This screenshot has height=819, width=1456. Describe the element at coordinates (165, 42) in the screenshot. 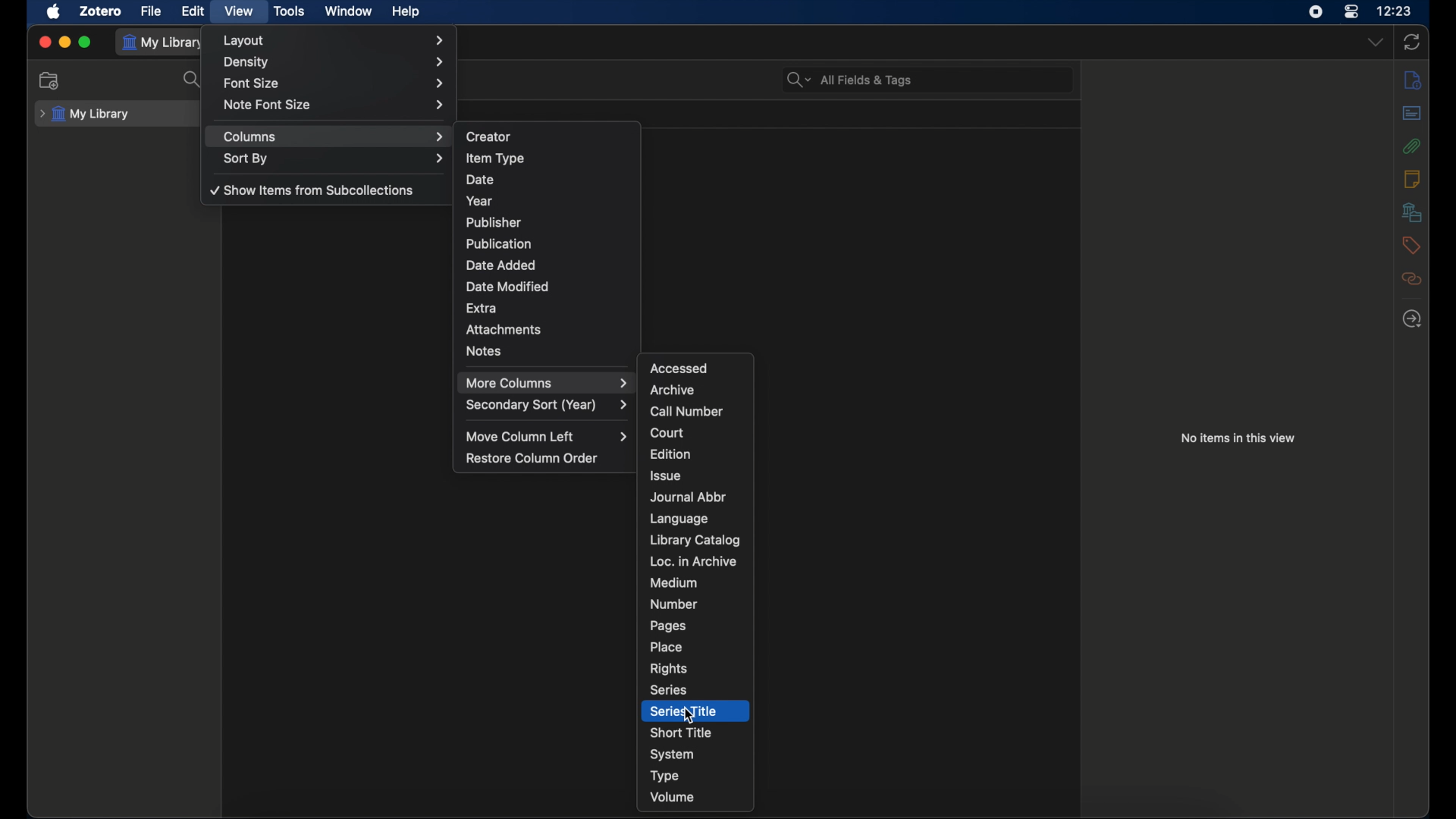

I see `my library` at that location.